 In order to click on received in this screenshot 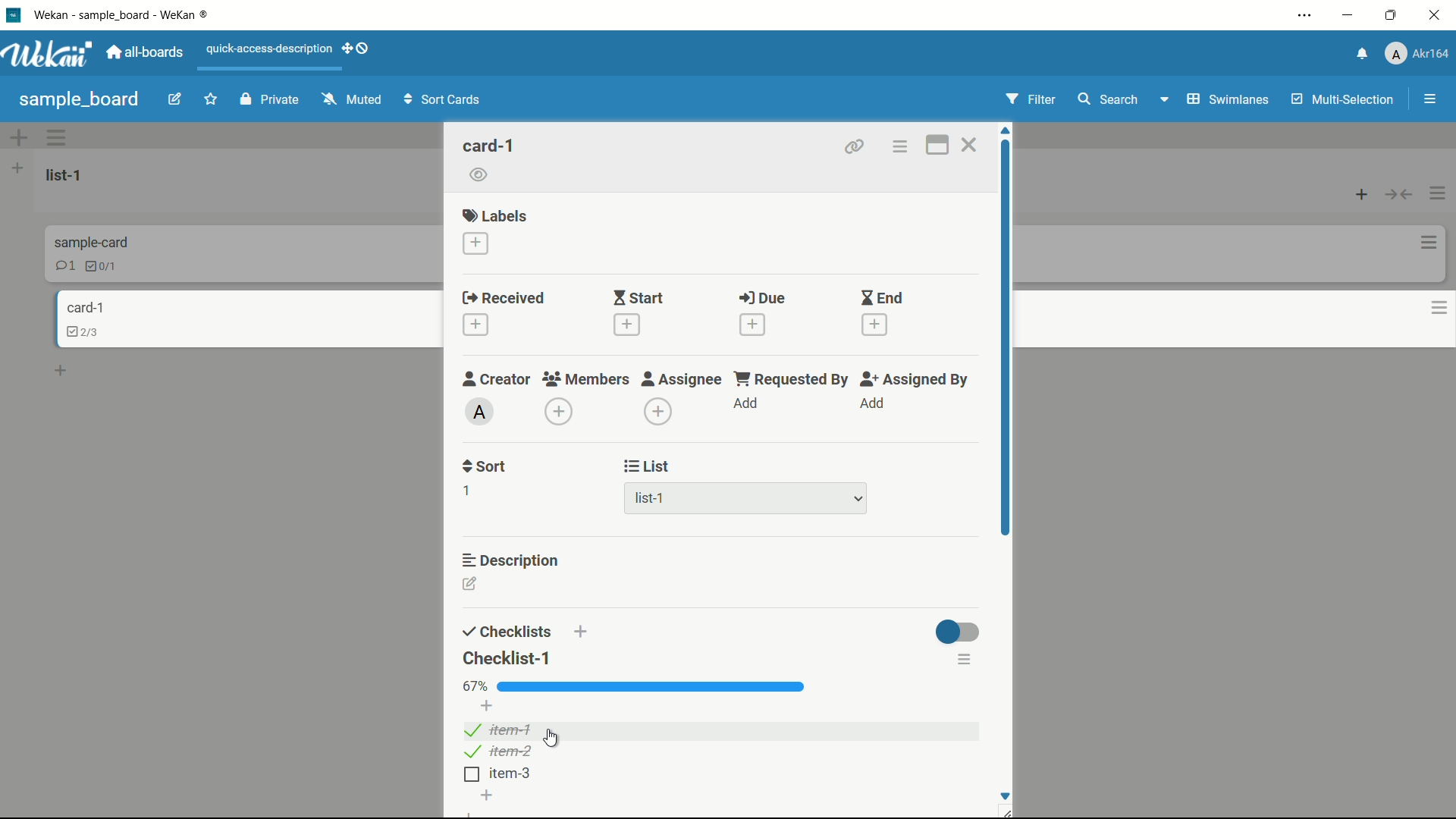, I will do `click(507, 297)`.